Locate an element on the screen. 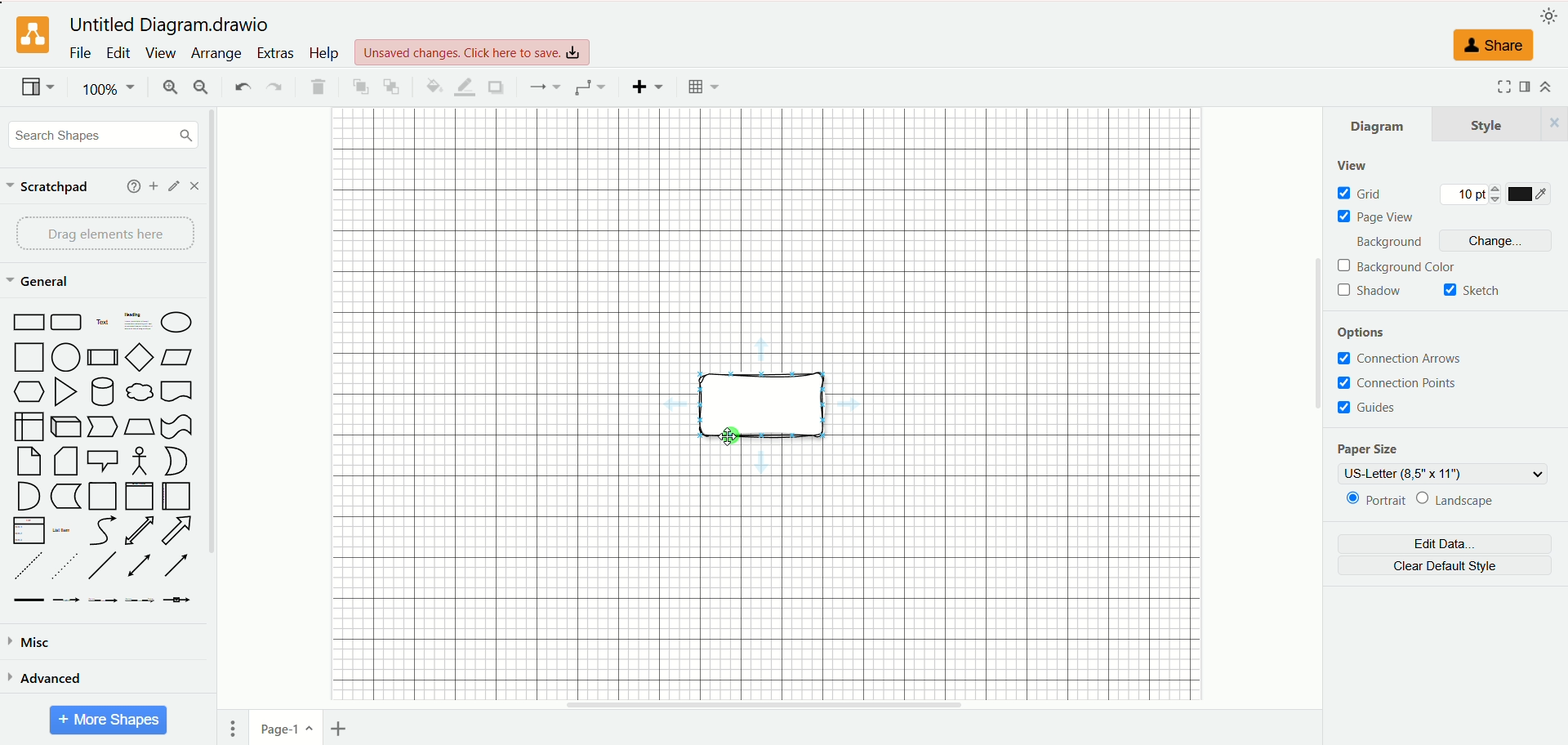 The height and width of the screenshot is (745, 1568). search is located at coordinates (104, 136).